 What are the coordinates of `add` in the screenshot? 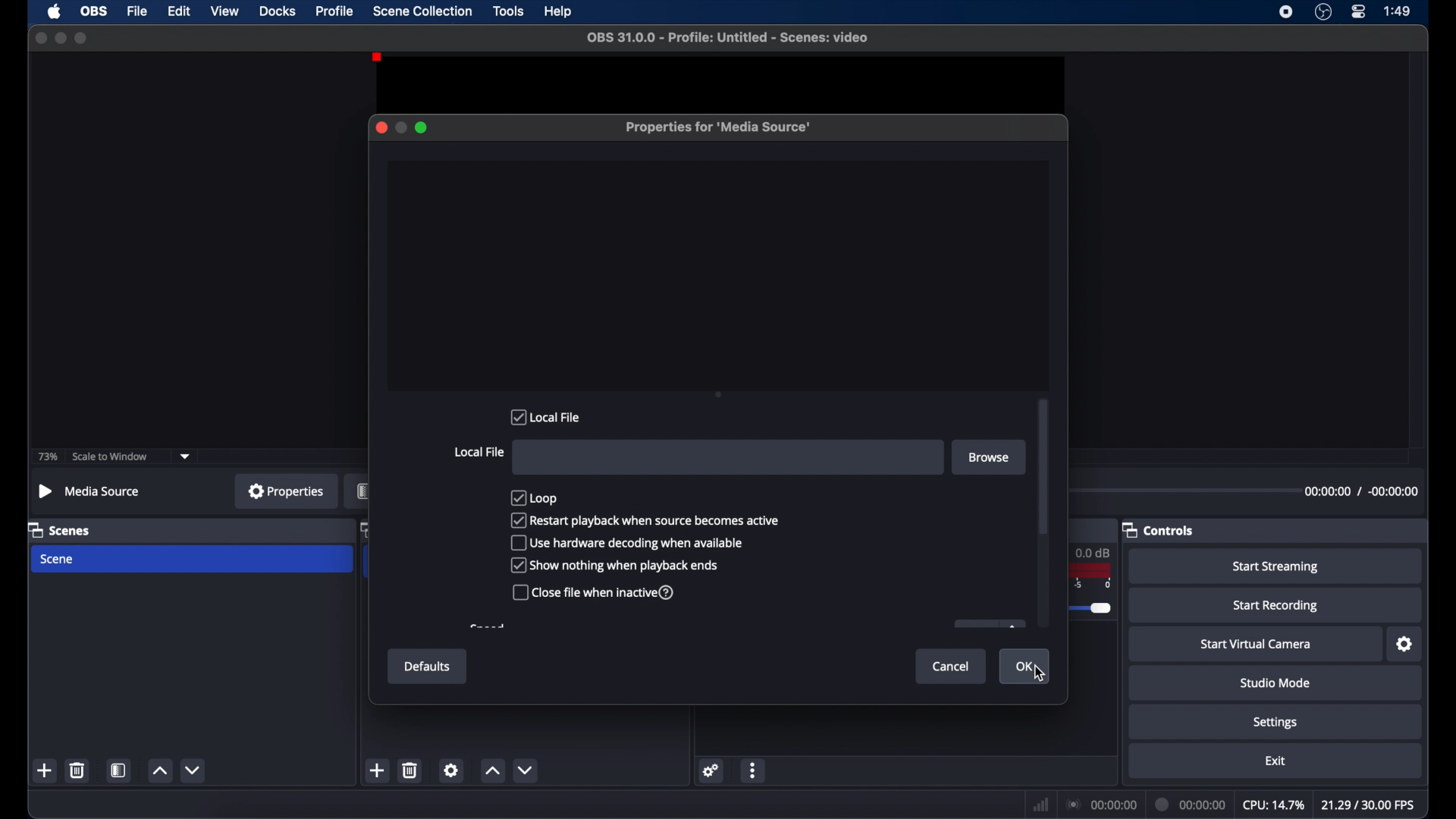 It's located at (378, 769).